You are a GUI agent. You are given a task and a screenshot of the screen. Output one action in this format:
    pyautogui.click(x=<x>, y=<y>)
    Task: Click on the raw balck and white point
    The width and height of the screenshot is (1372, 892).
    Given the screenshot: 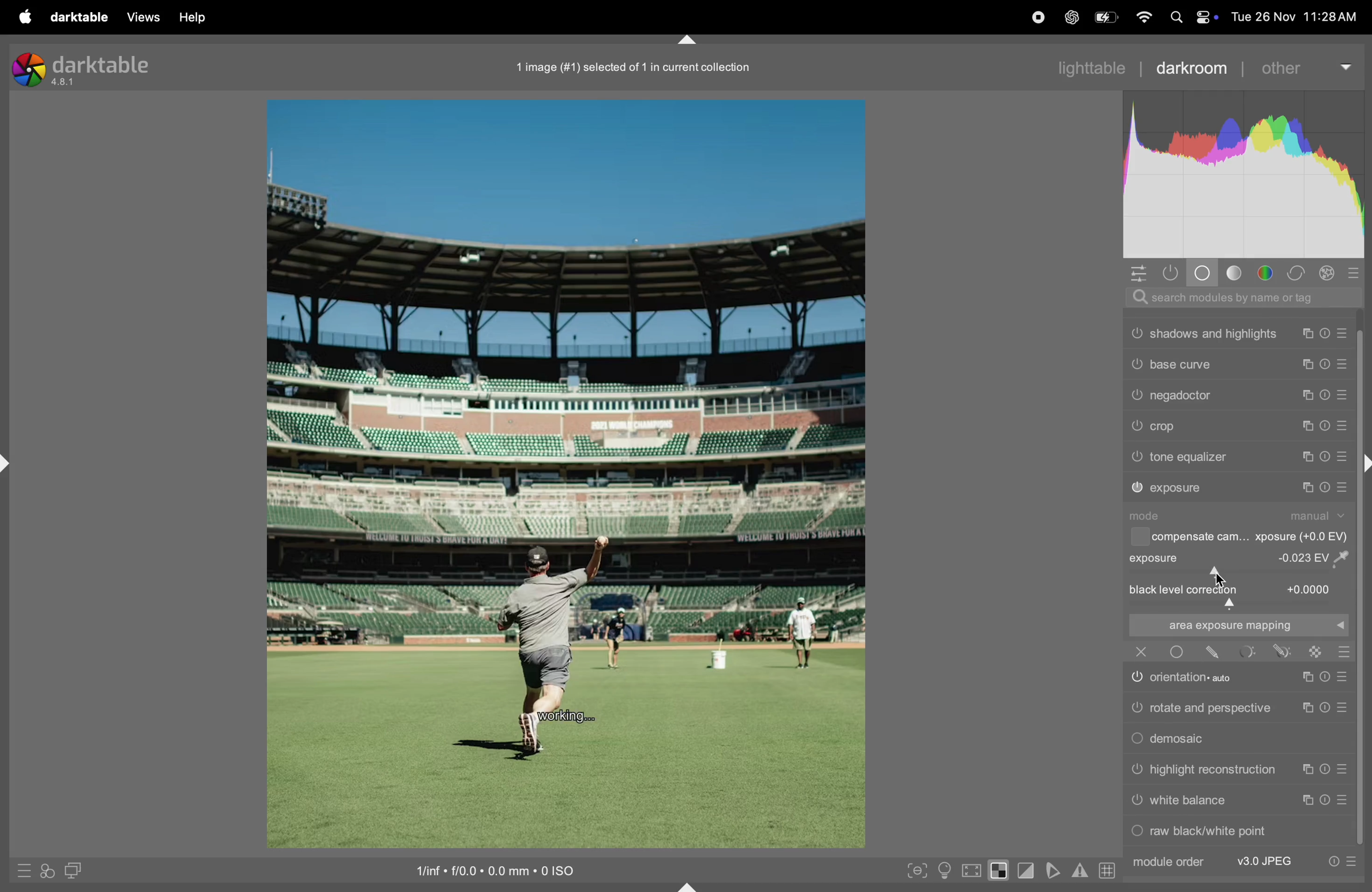 What is the action you would take?
    pyautogui.click(x=1211, y=830)
    